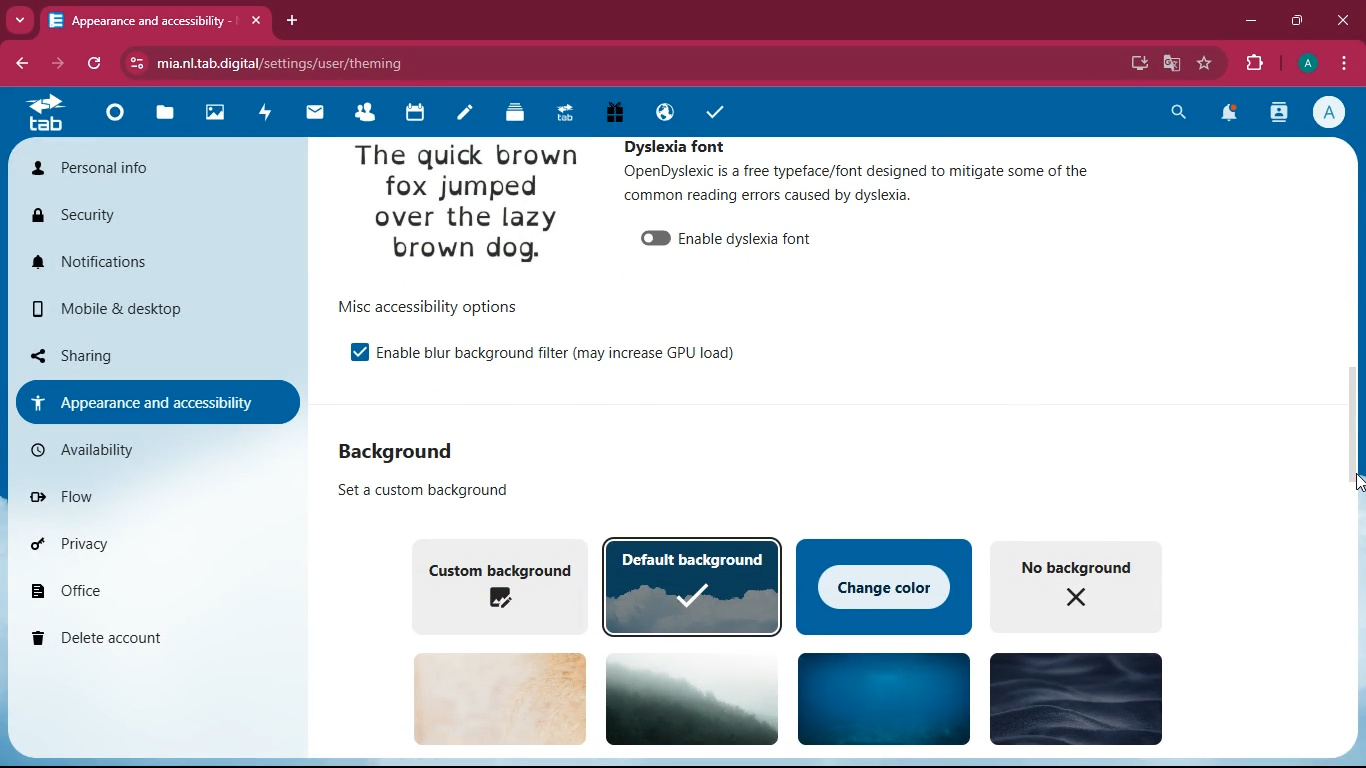  I want to click on notifications, so click(1228, 116).